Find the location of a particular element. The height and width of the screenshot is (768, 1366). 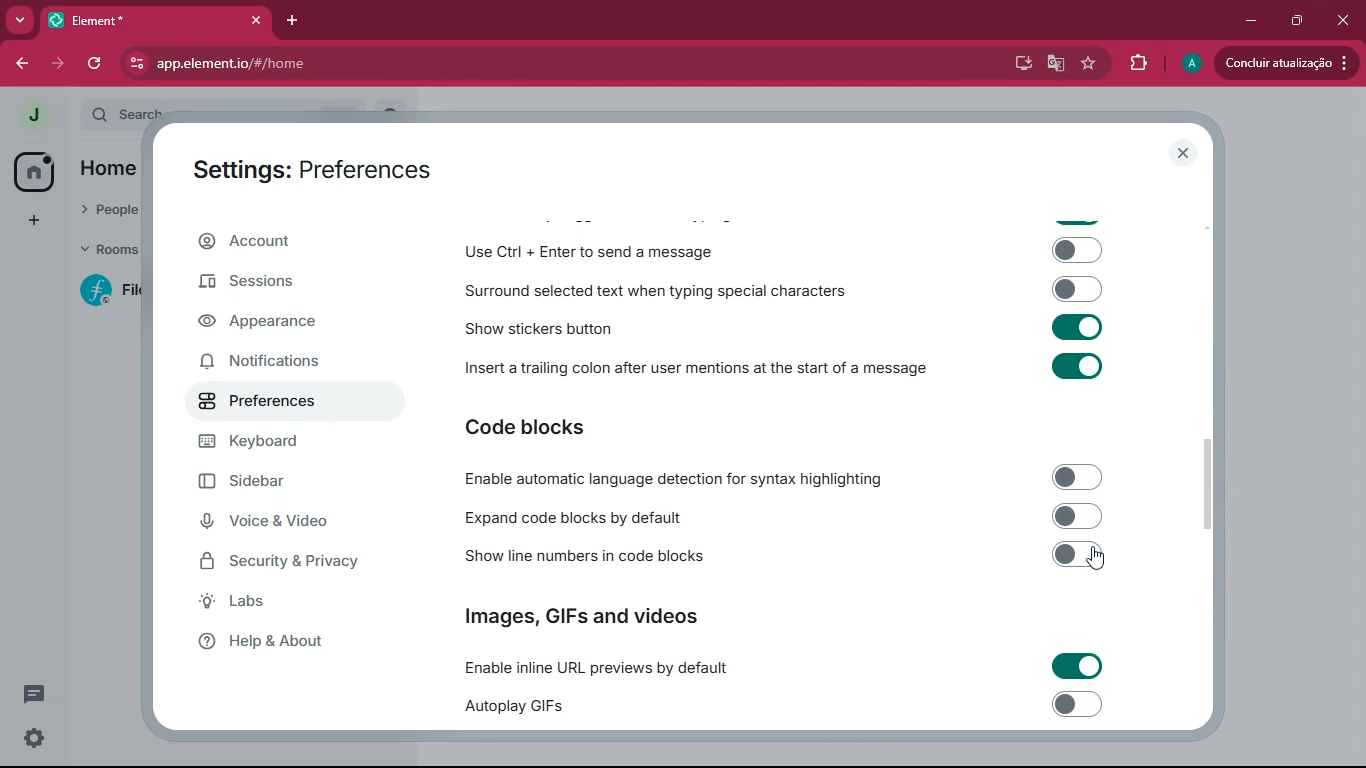

preferences is located at coordinates (268, 404).